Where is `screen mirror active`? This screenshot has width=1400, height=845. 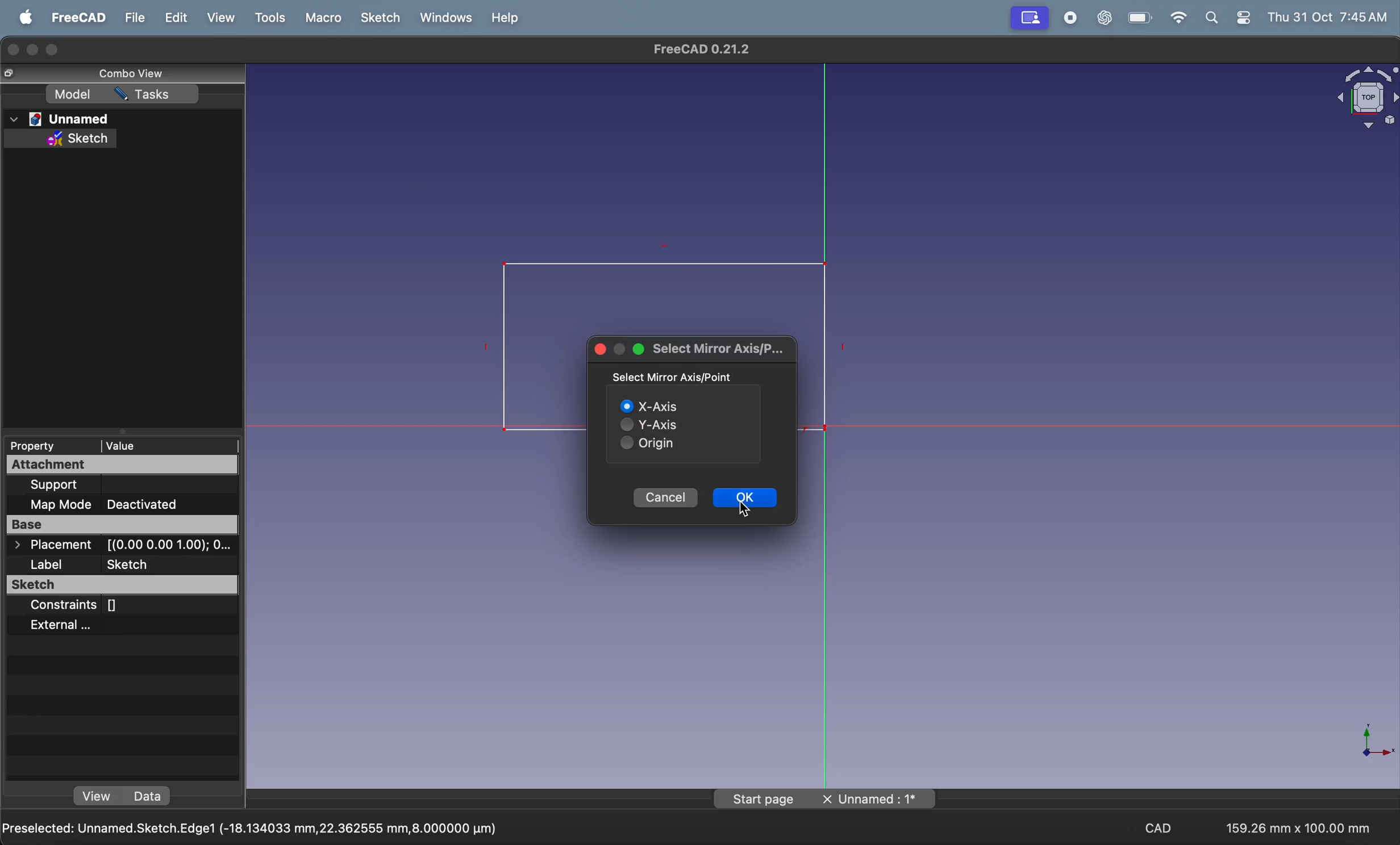
screen mirror active is located at coordinates (1031, 18).